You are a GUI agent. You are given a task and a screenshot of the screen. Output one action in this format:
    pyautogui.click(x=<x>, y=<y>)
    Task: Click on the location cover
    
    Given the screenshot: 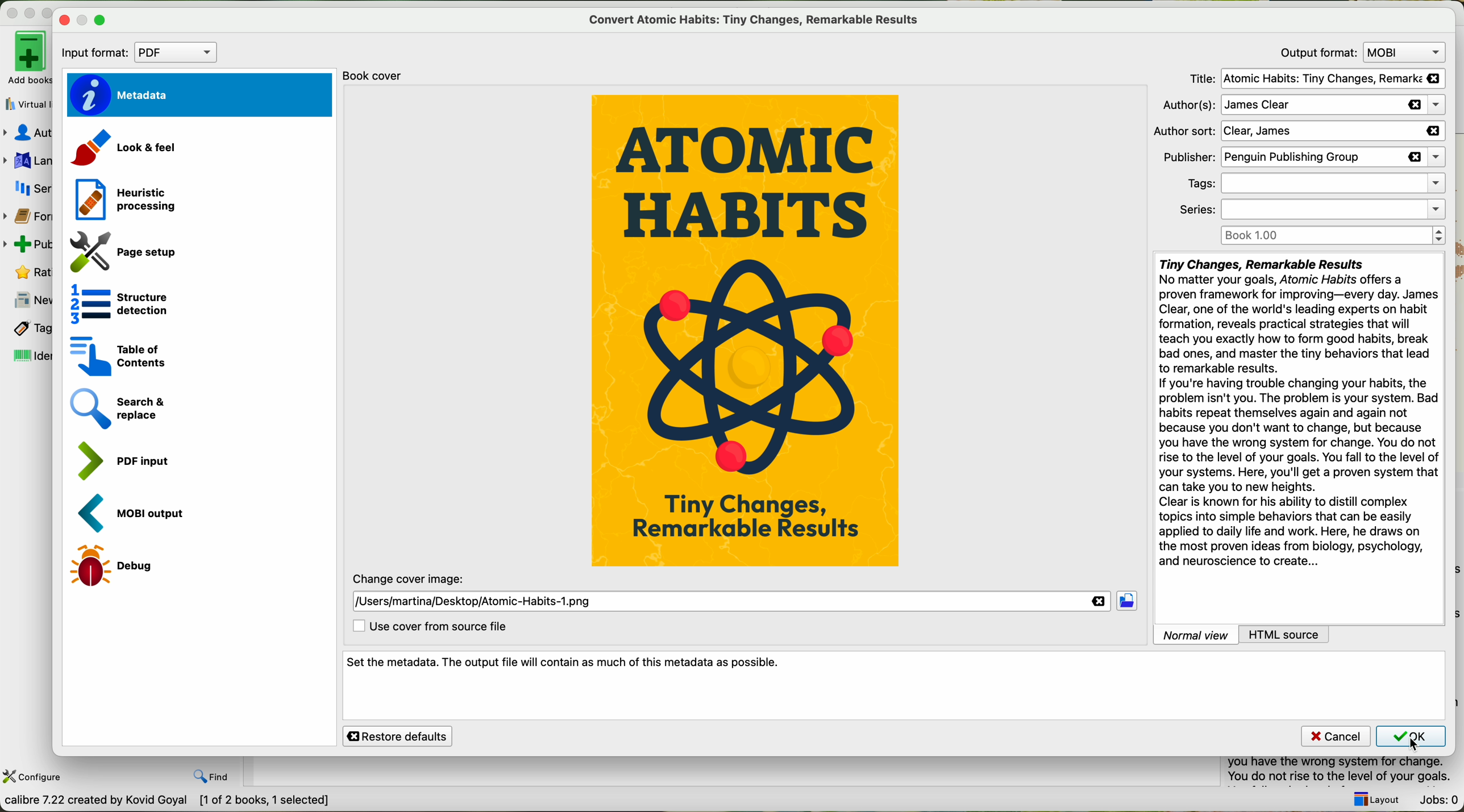 What is the action you would take?
    pyautogui.click(x=475, y=601)
    